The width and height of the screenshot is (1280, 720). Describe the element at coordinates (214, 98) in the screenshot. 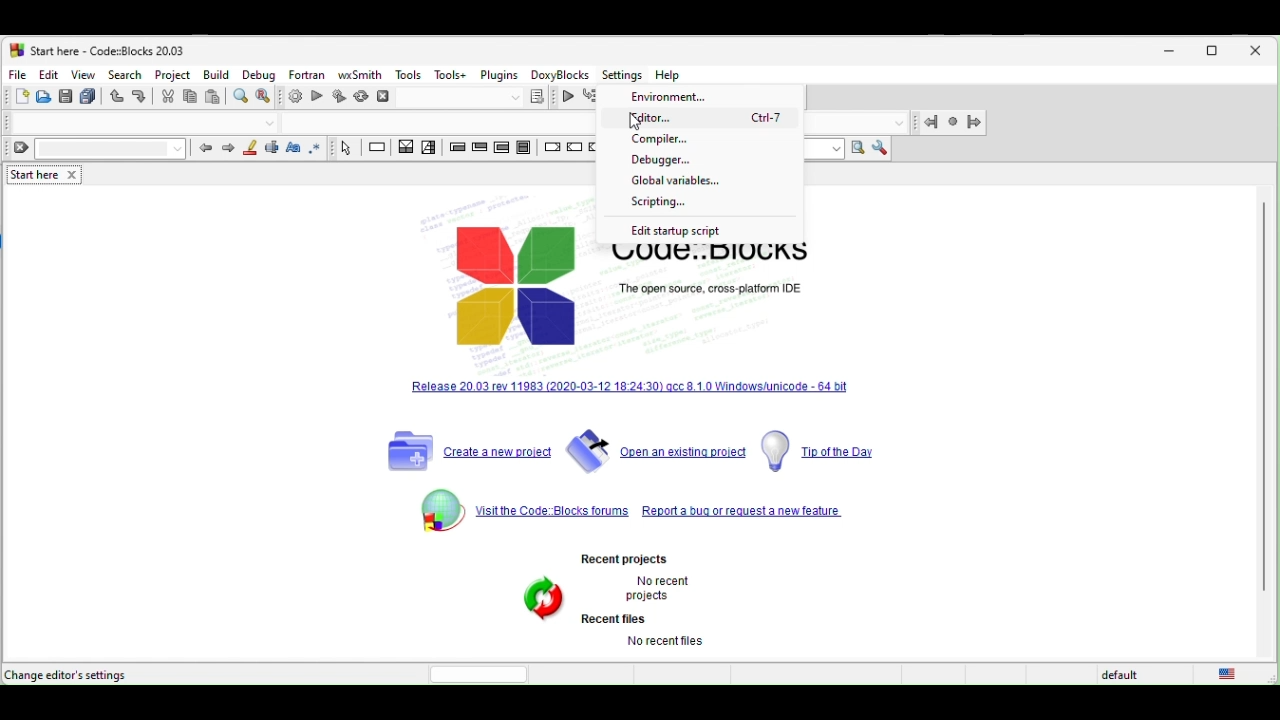

I see `paste` at that location.